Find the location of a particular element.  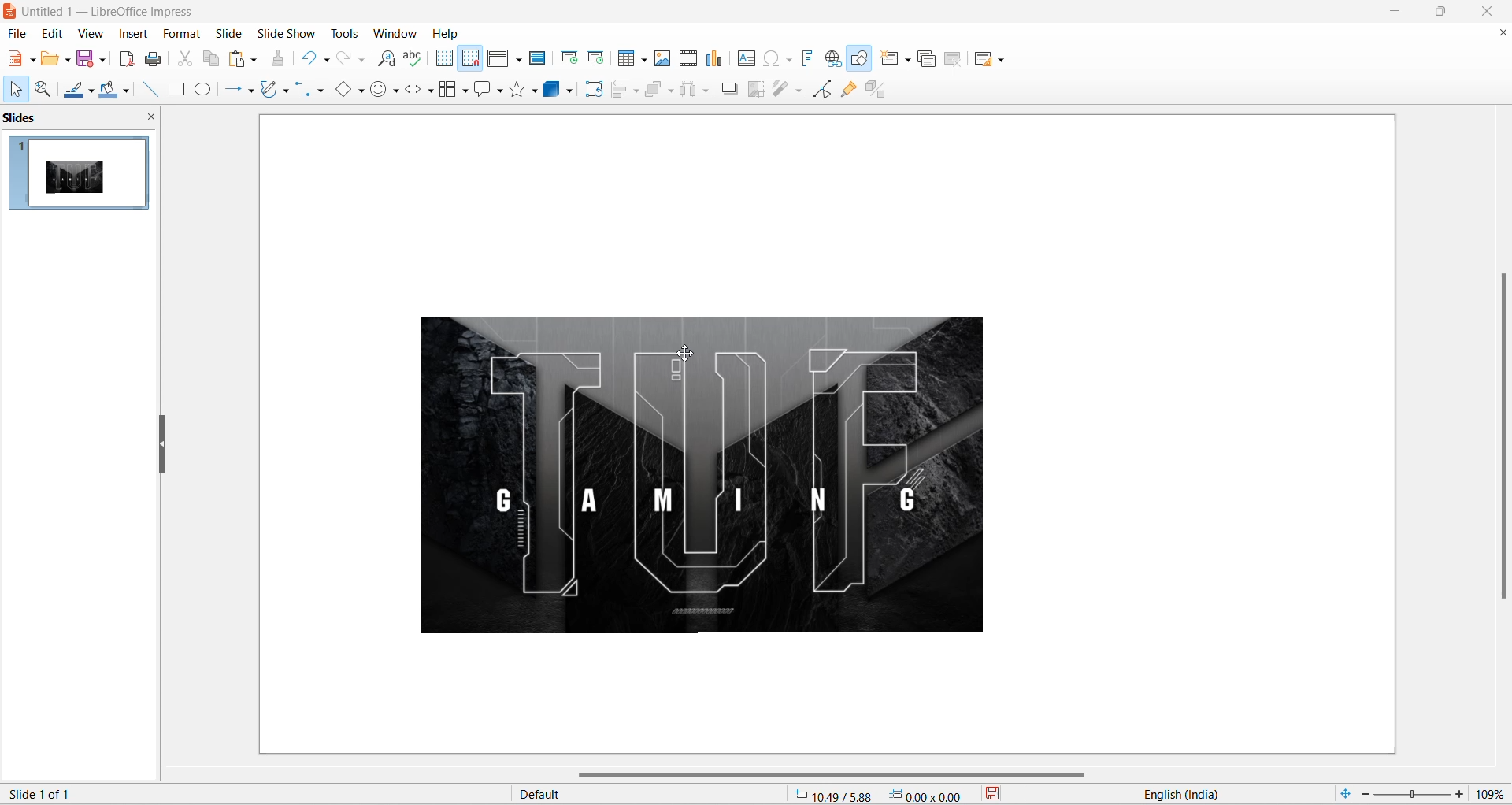

new file is located at coordinates (15, 59).